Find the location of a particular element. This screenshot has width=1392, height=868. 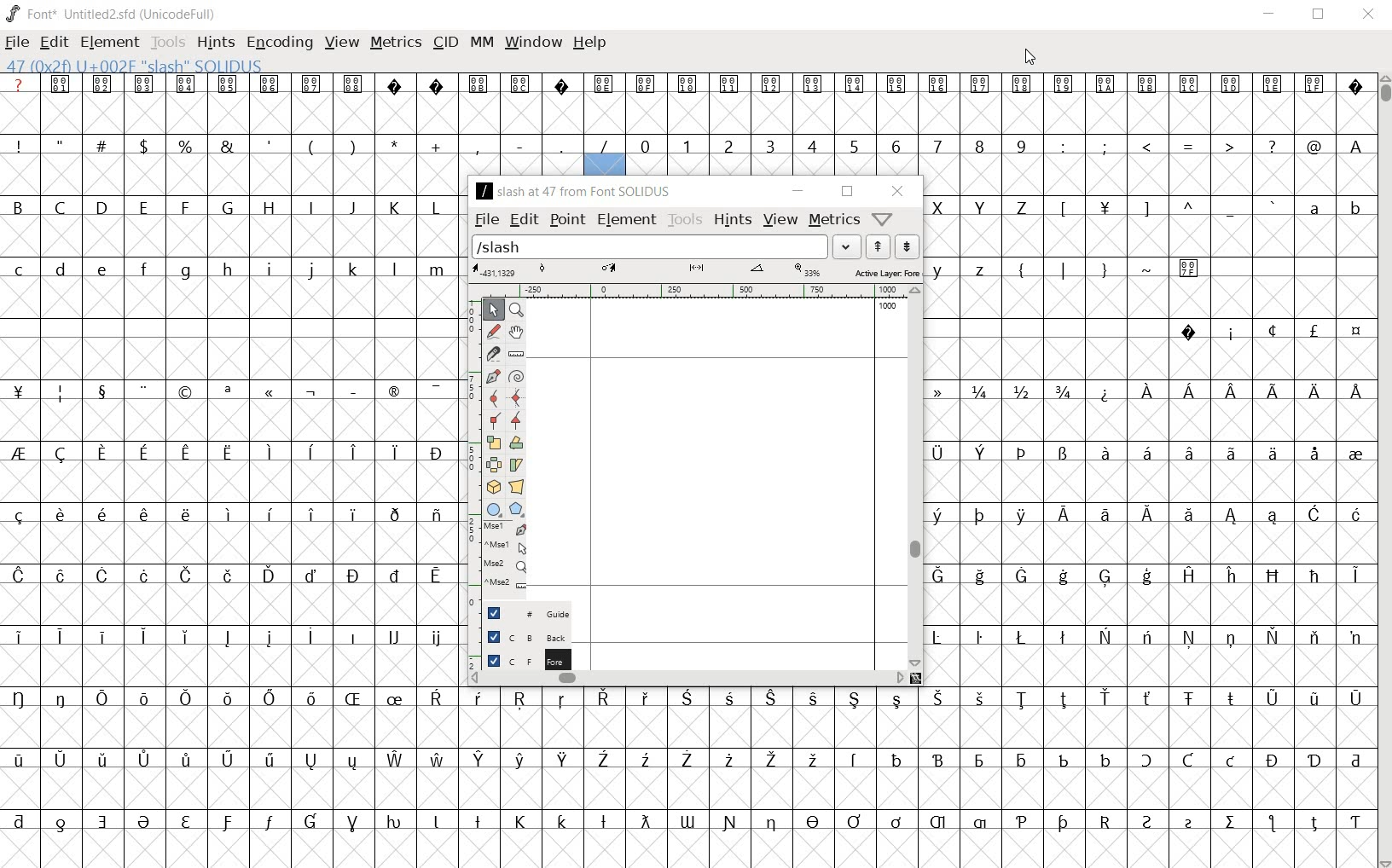

symbols is located at coordinates (1106, 267).